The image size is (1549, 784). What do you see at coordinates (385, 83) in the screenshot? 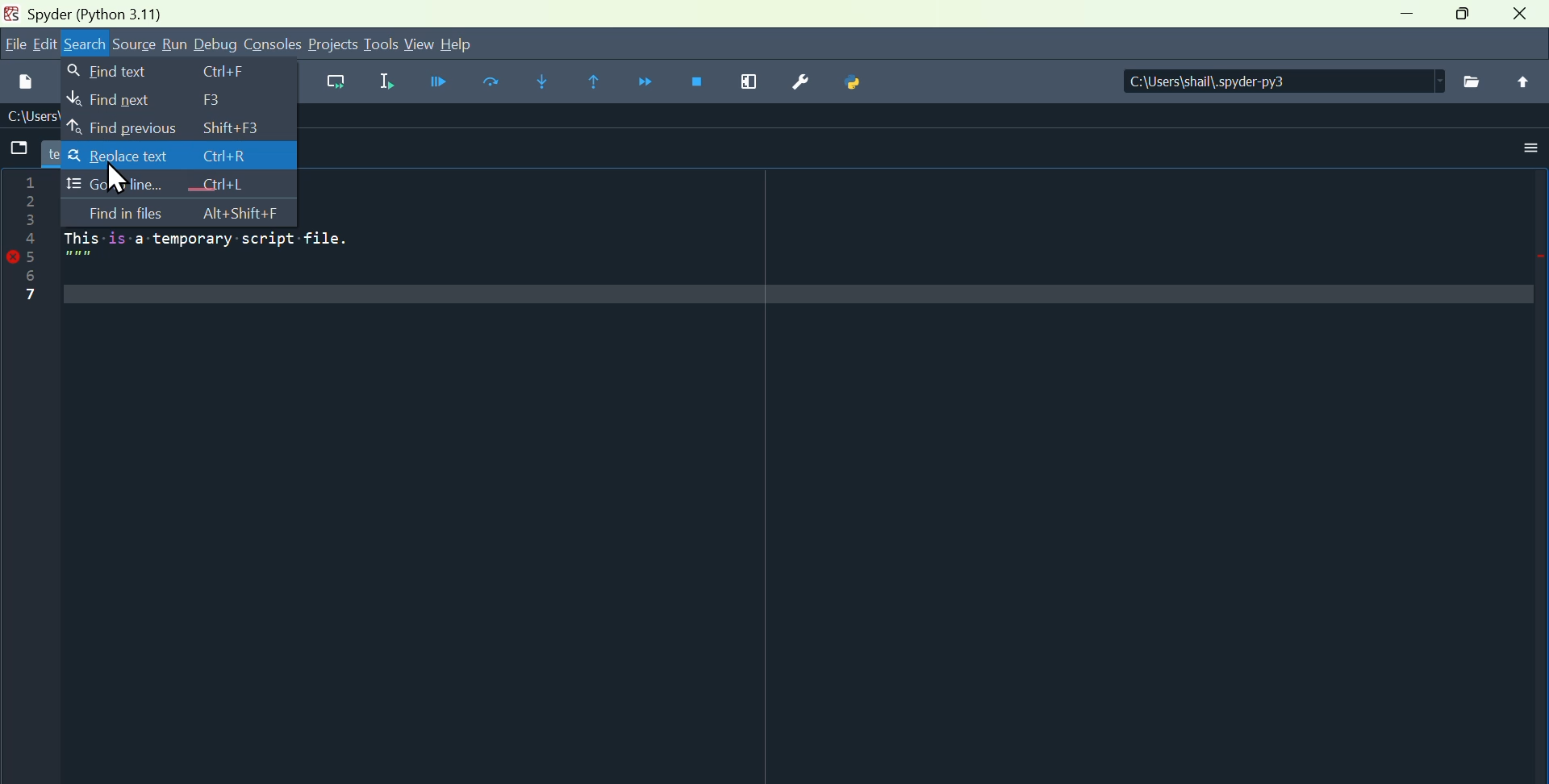
I see `Run selection` at bounding box center [385, 83].